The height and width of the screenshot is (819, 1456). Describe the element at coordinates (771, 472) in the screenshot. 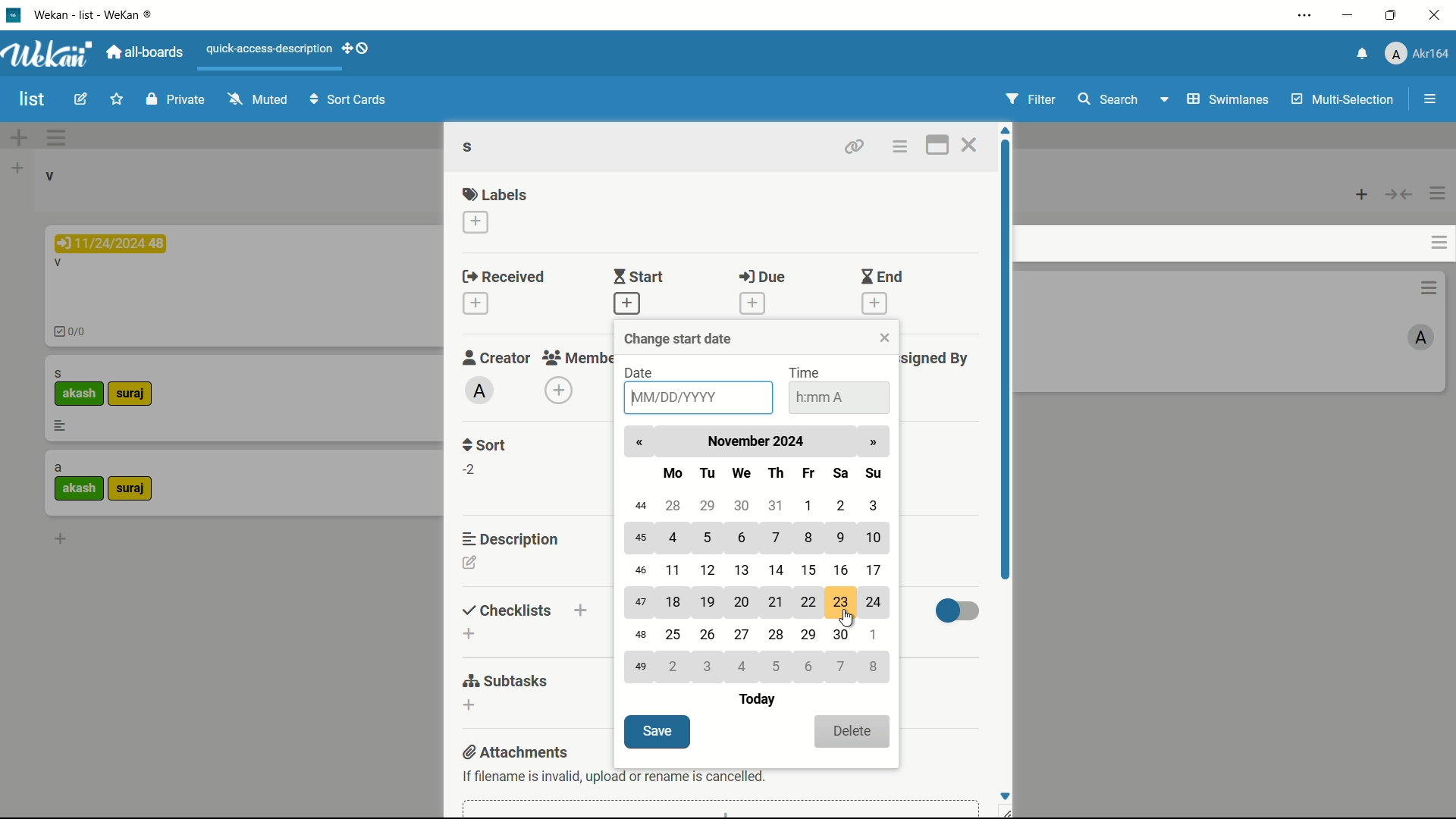

I see `days` at that location.